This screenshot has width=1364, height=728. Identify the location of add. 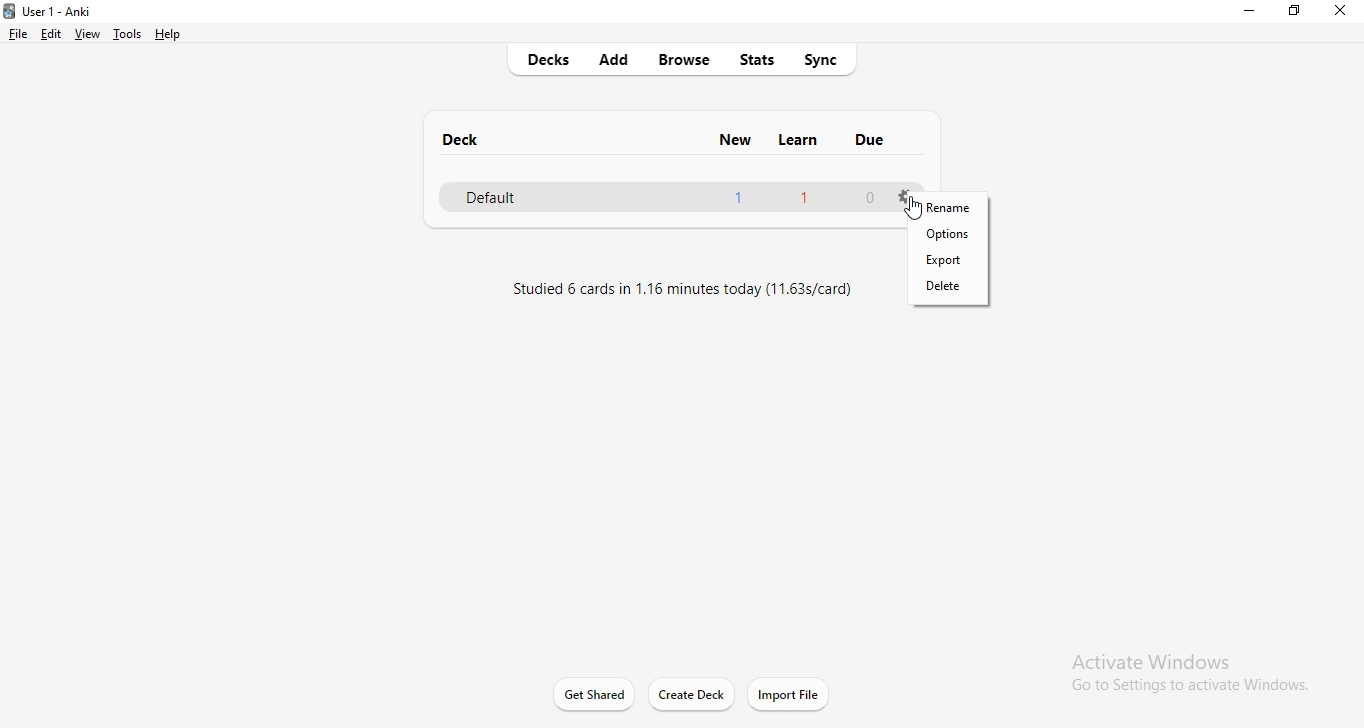
(621, 56).